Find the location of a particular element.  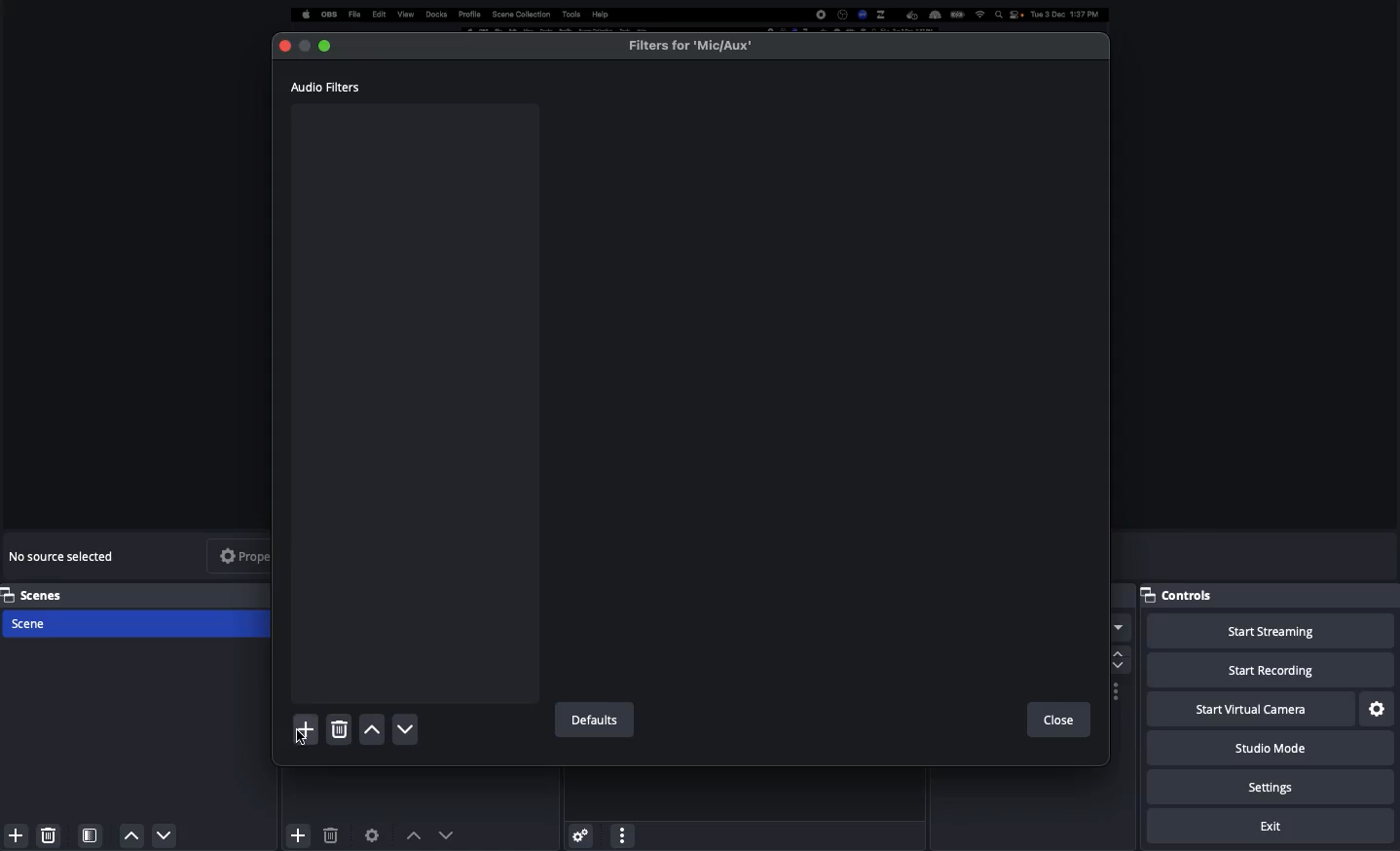

Settings / options is located at coordinates (1117, 692).